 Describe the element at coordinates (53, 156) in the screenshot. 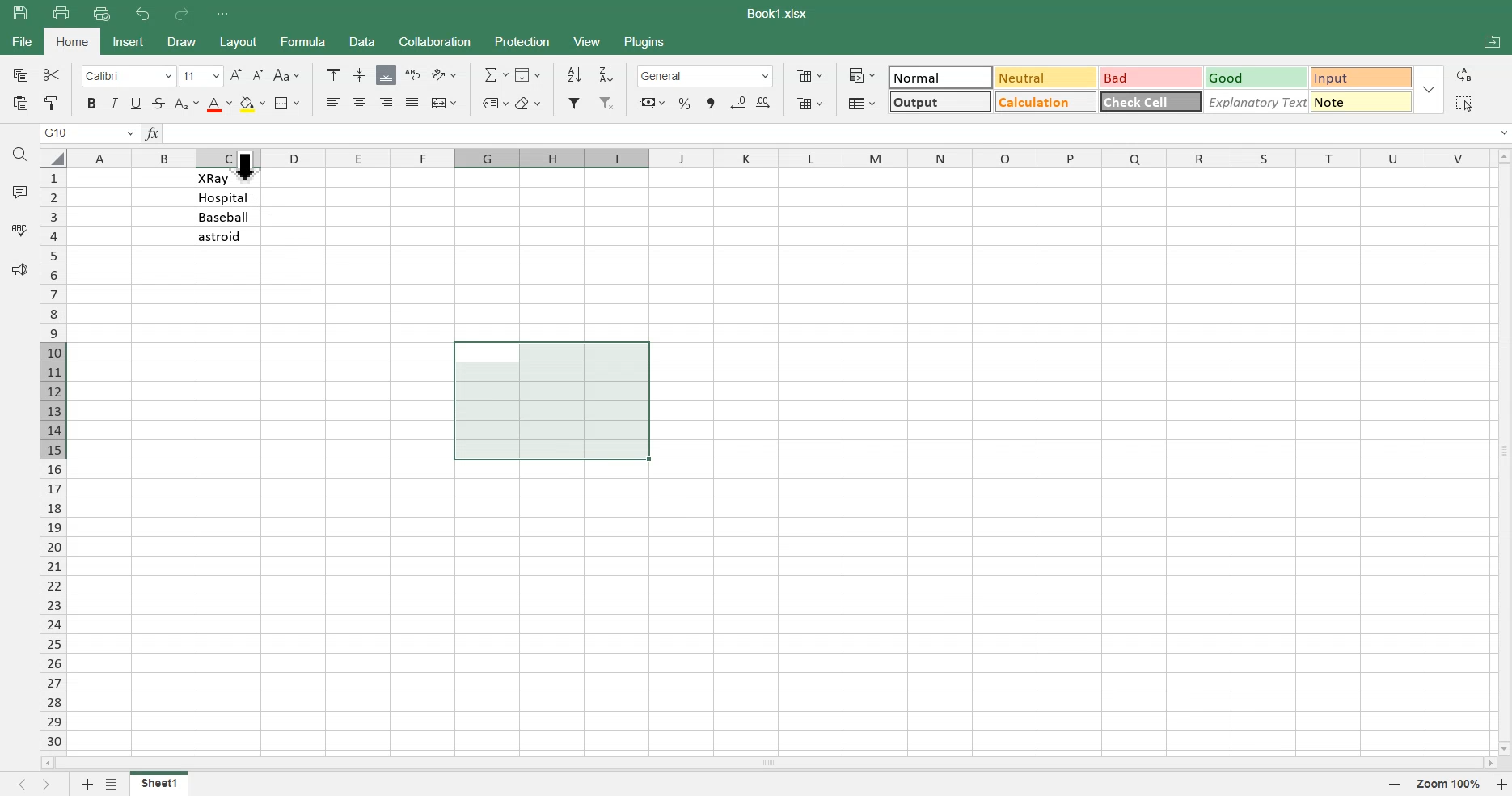

I see `select all` at that location.